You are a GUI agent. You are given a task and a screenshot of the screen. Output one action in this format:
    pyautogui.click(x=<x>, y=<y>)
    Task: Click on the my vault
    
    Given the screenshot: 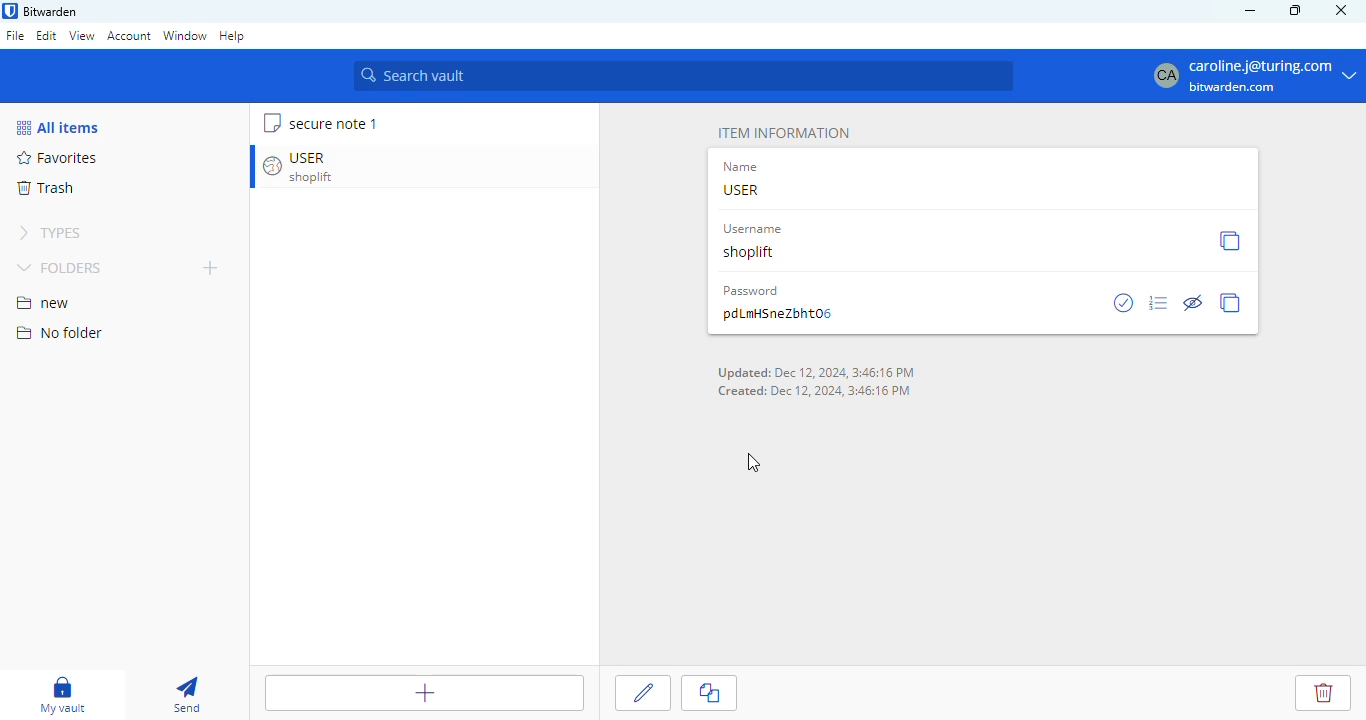 What is the action you would take?
    pyautogui.click(x=63, y=695)
    